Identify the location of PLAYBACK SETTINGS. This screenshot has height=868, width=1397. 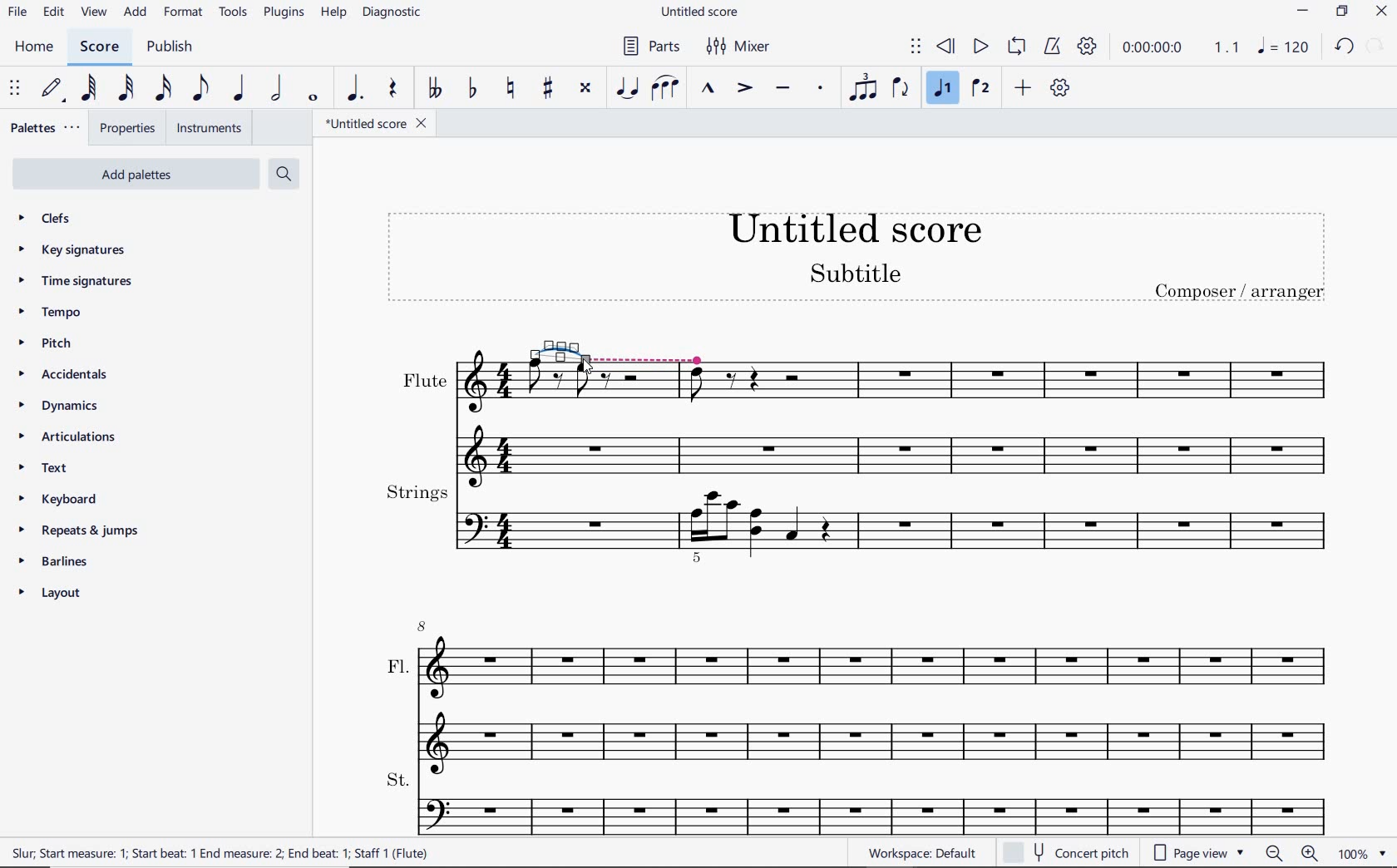
(1090, 48).